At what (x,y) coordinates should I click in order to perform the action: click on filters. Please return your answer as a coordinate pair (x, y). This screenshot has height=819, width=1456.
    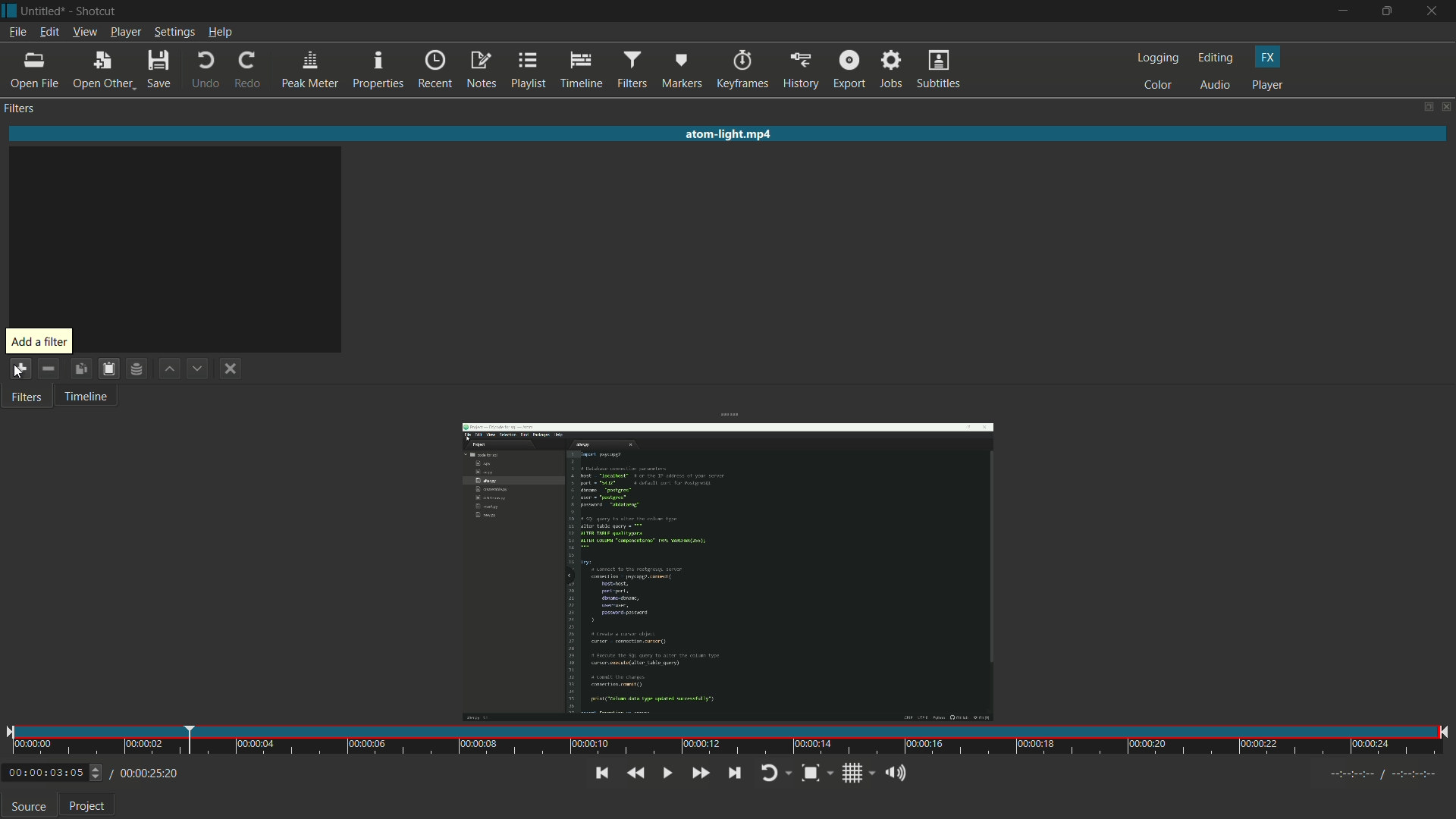
    Looking at the image, I should click on (632, 70).